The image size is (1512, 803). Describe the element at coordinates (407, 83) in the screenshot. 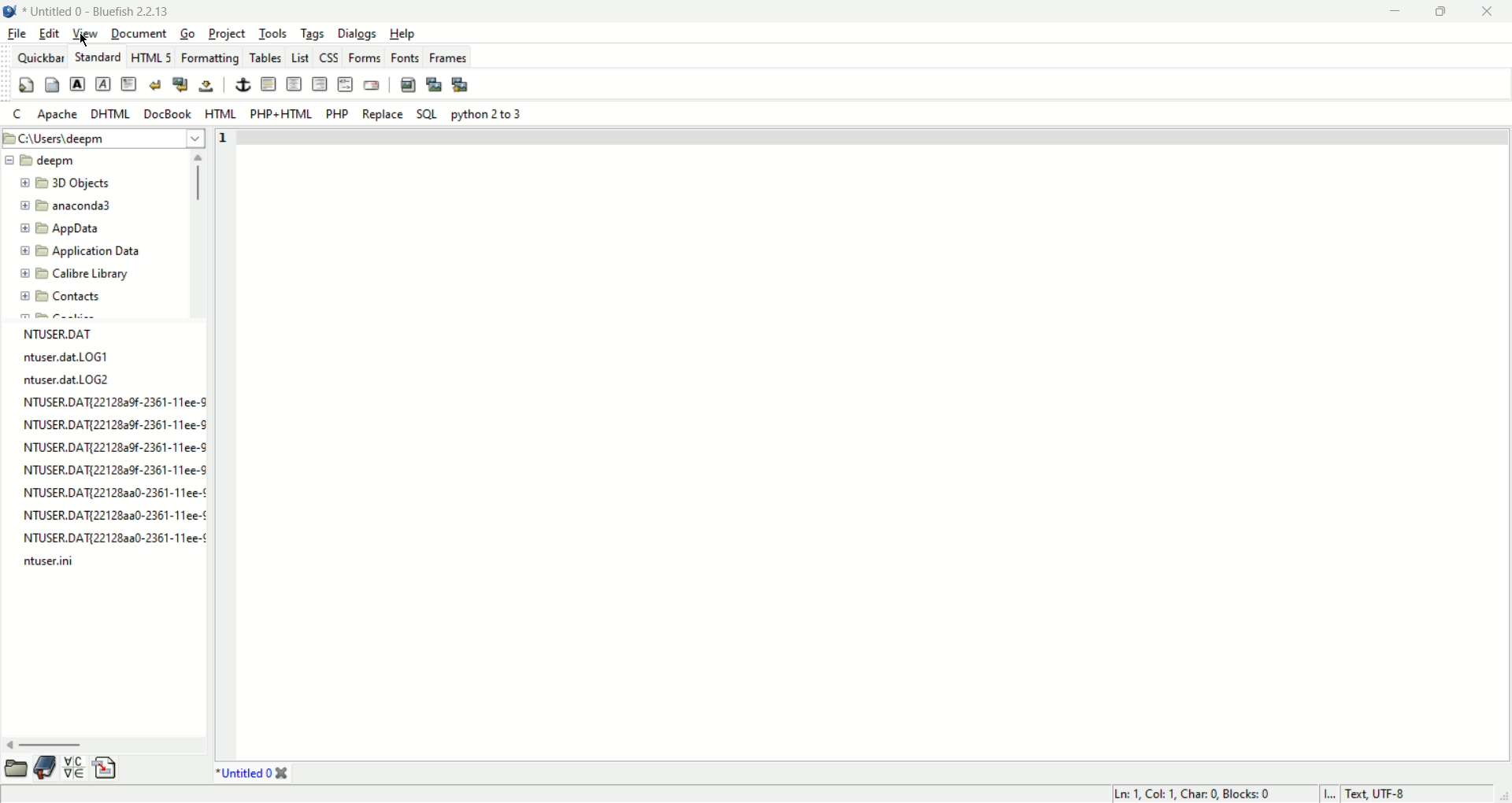

I see `insert images` at that location.